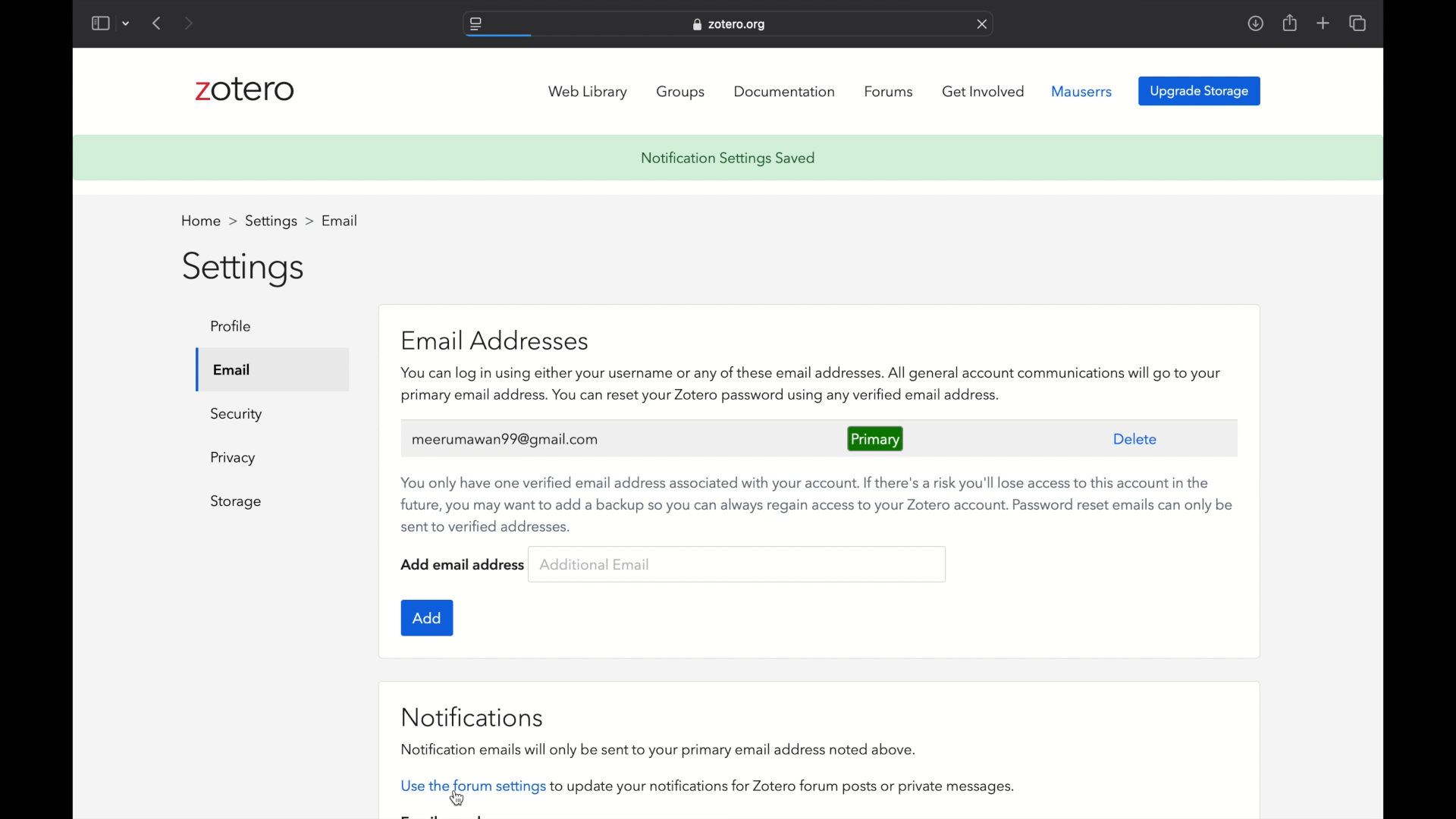  I want to click on use the forum settings to update your notifications for zotero forum posts or private messages, so click(711, 786).